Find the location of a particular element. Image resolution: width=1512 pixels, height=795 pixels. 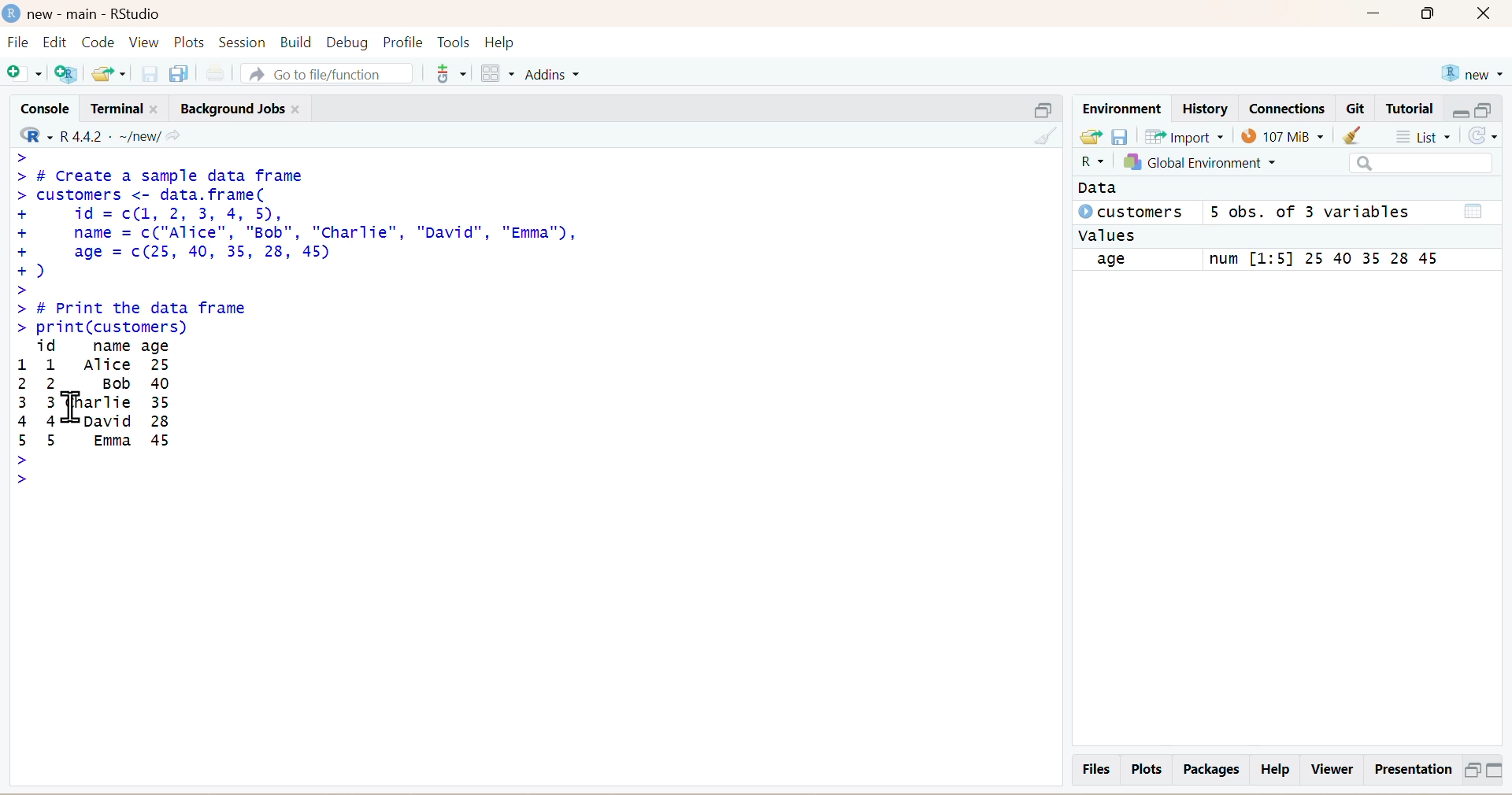

History is located at coordinates (1204, 108).